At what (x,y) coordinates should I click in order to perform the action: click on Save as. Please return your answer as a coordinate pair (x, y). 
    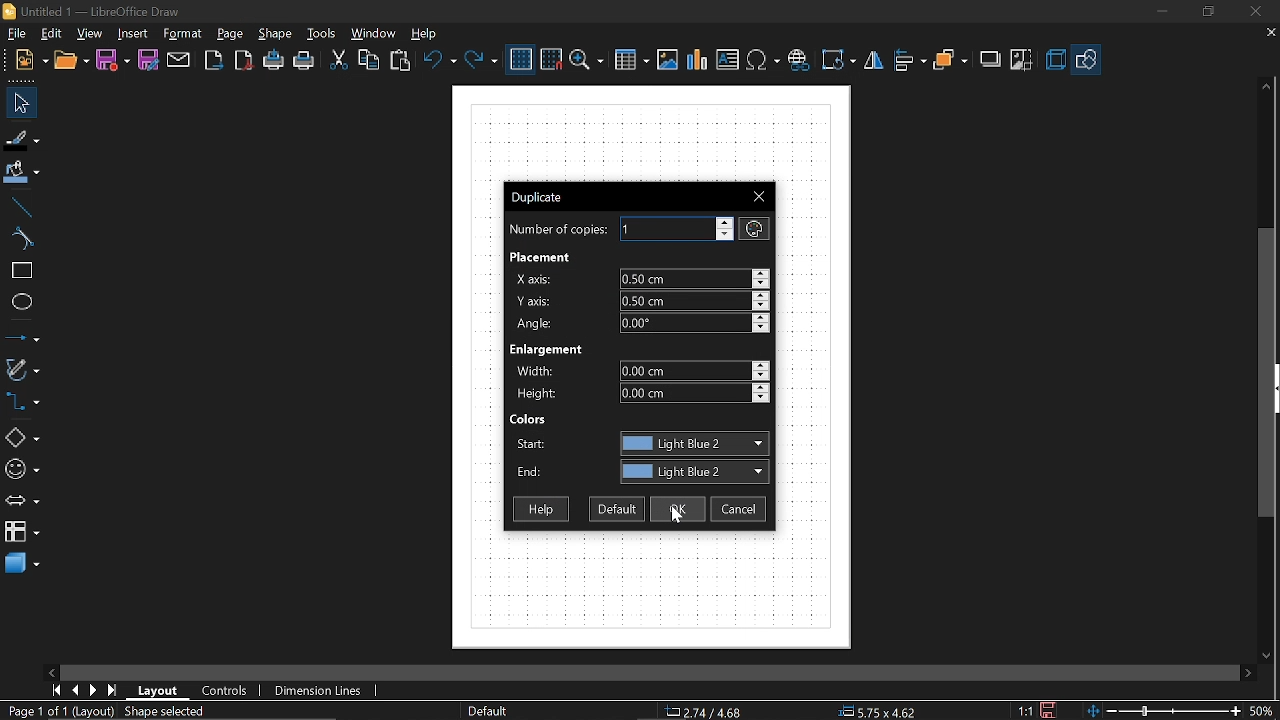
    Looking at the image, I should click on (148, 60).